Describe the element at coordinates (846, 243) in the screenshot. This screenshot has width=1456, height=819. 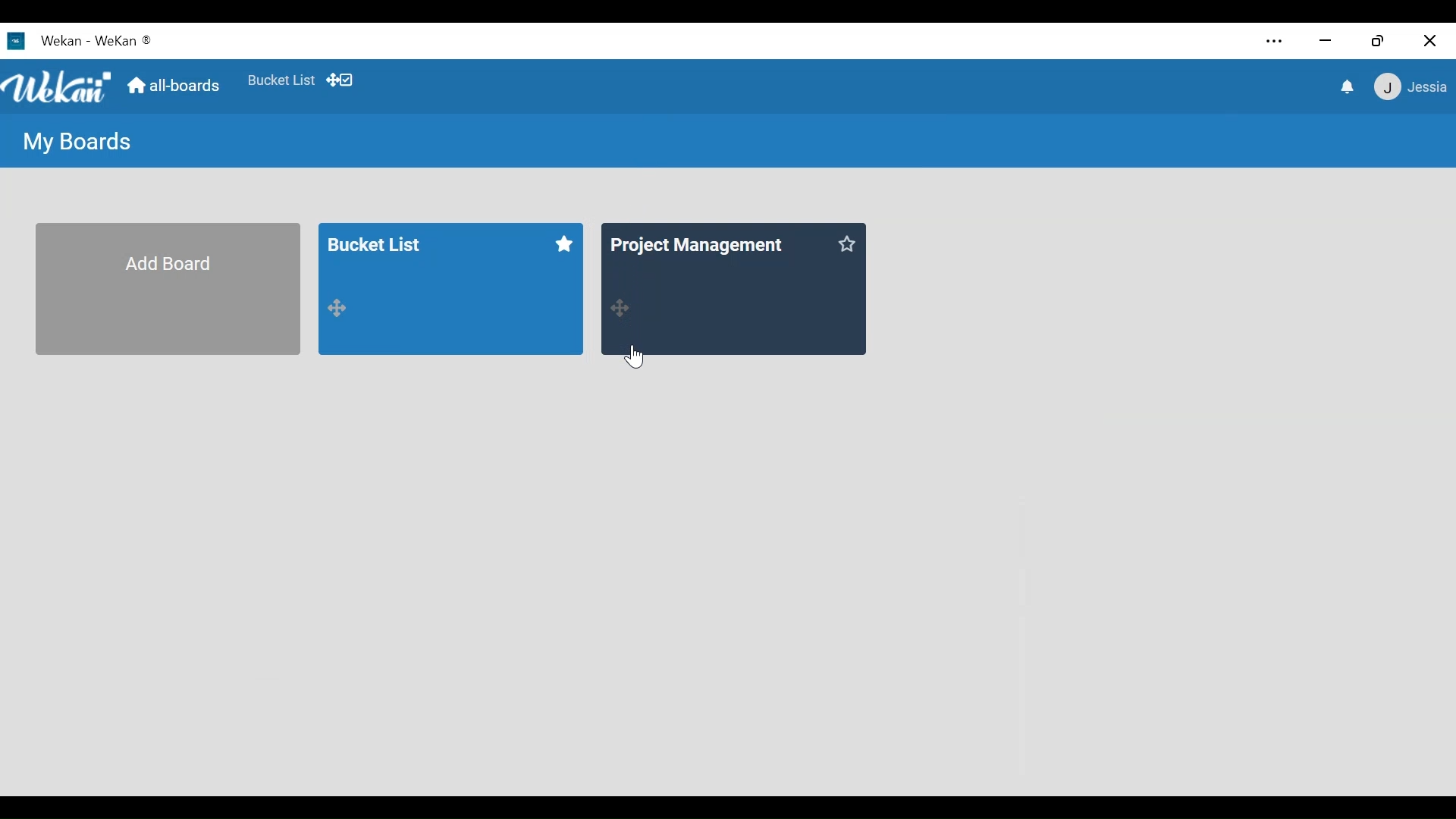
I see `star` at that location.